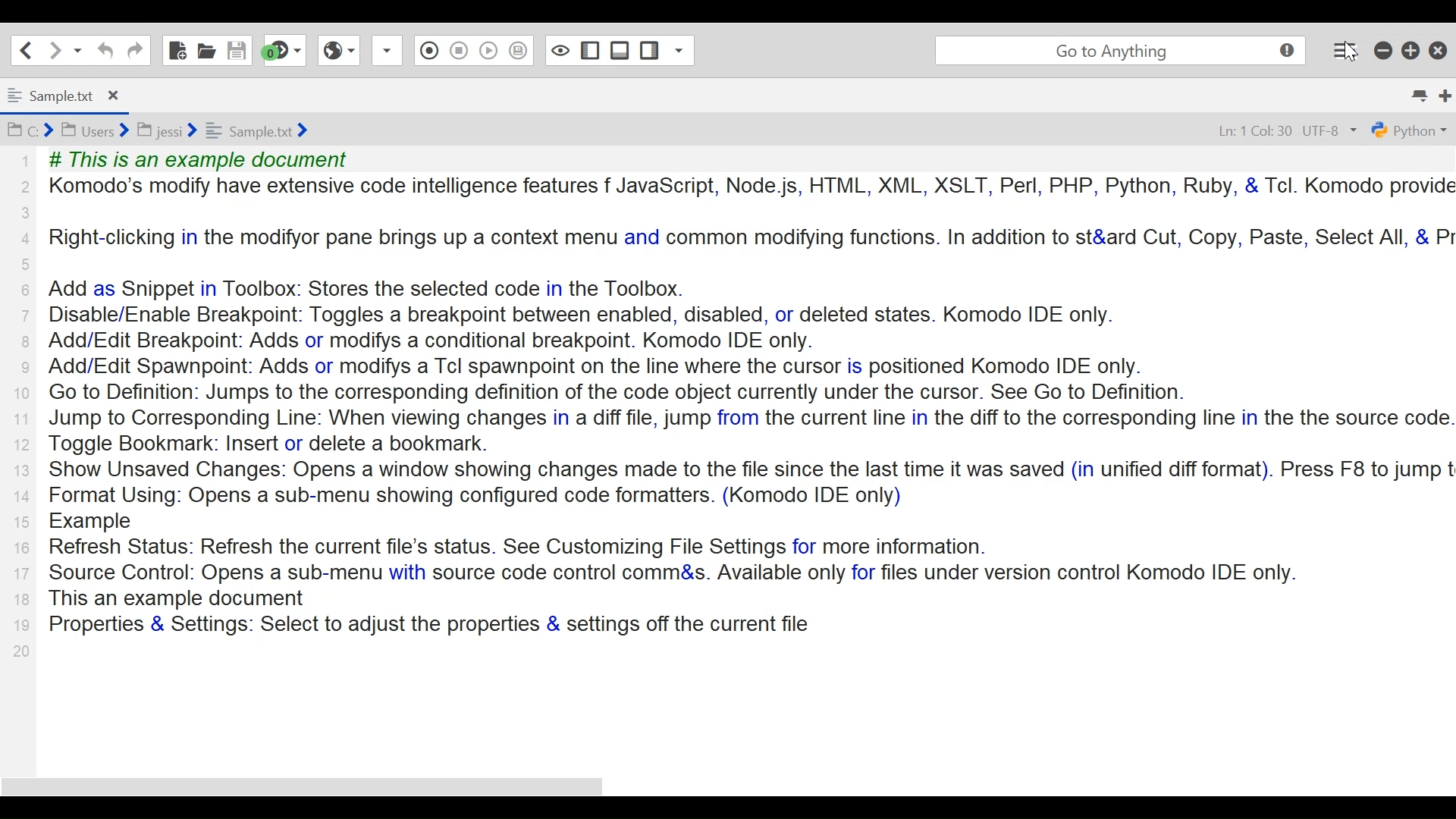 The width and height of the screenshot is (1456, 819). I want to click on horizontal scroll bar, so click(318, 786).